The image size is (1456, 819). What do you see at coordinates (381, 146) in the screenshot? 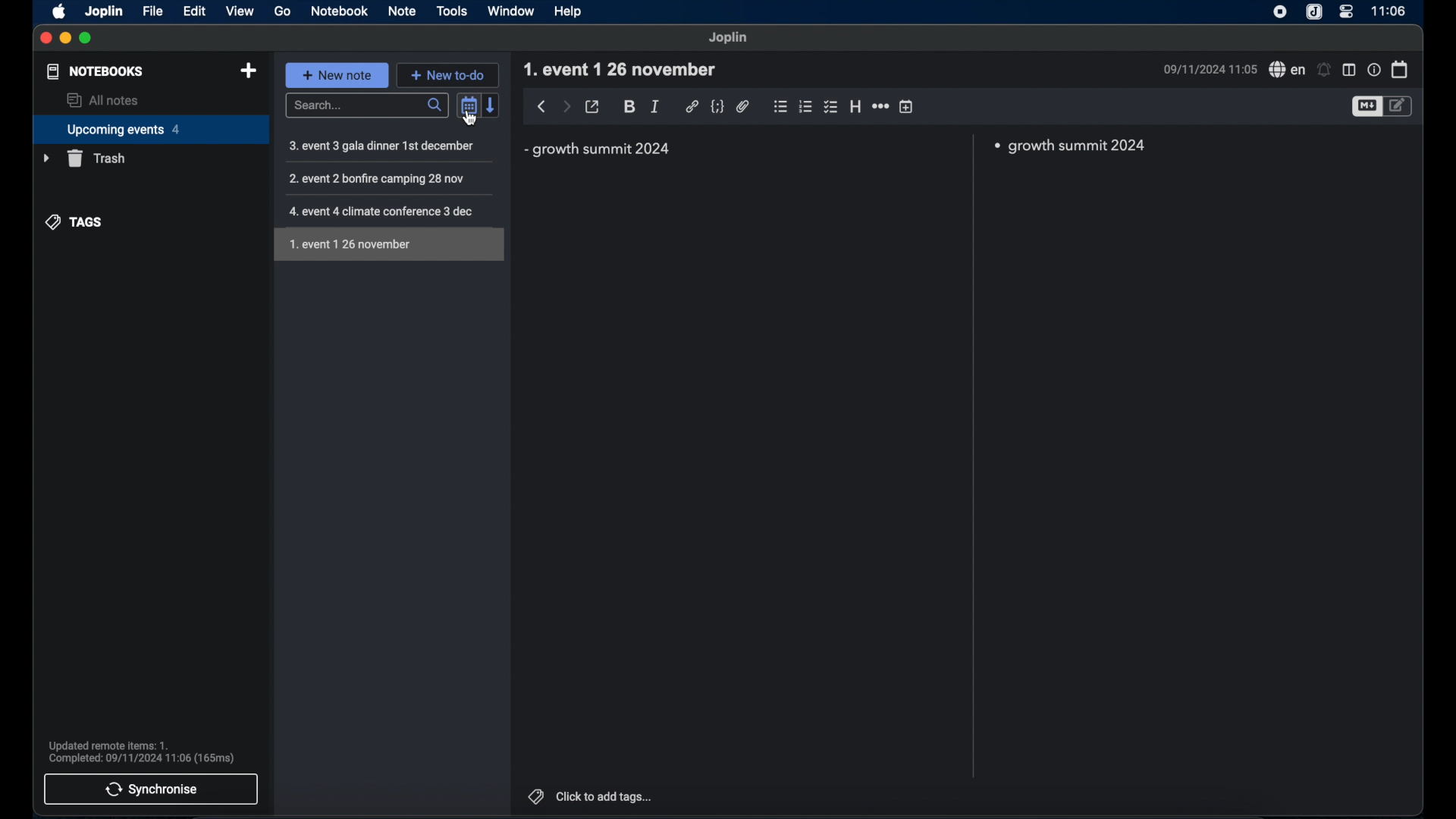
I see `3. event 3 gala dinner 1st december` at bounding box center [381, 146].